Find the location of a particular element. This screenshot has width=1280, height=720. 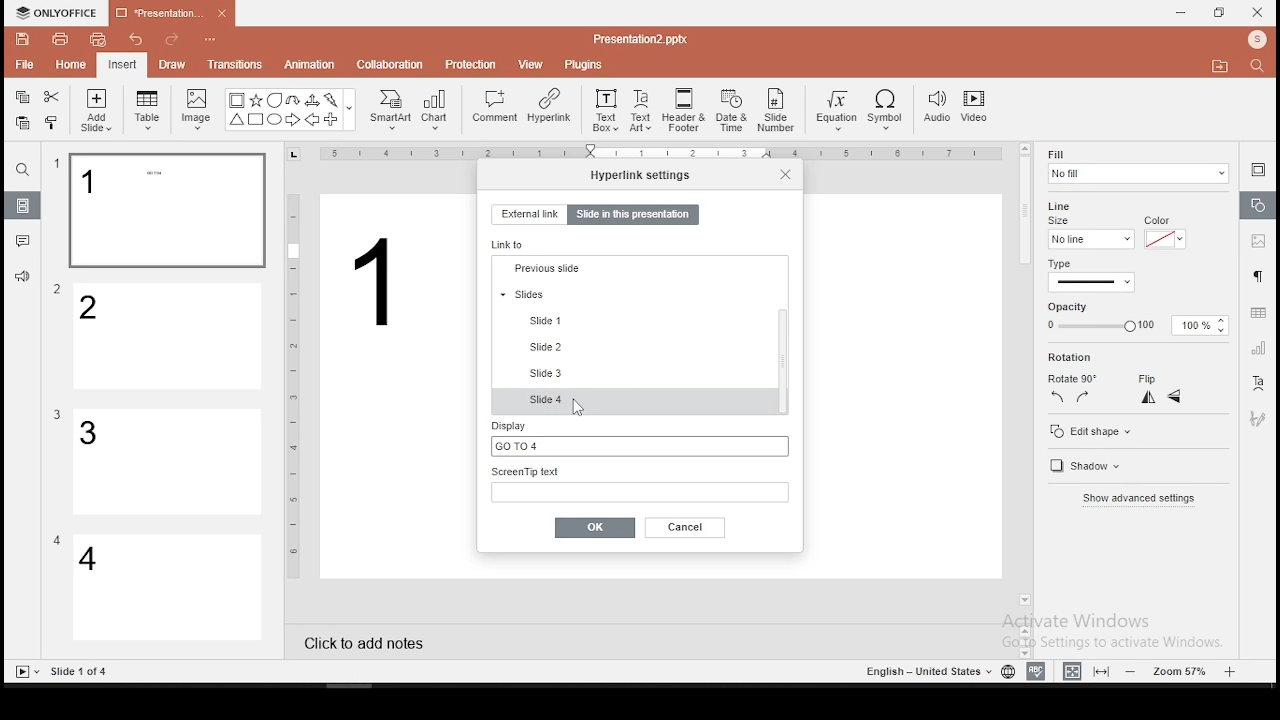

opacity is located at coordinates (1134, 326).